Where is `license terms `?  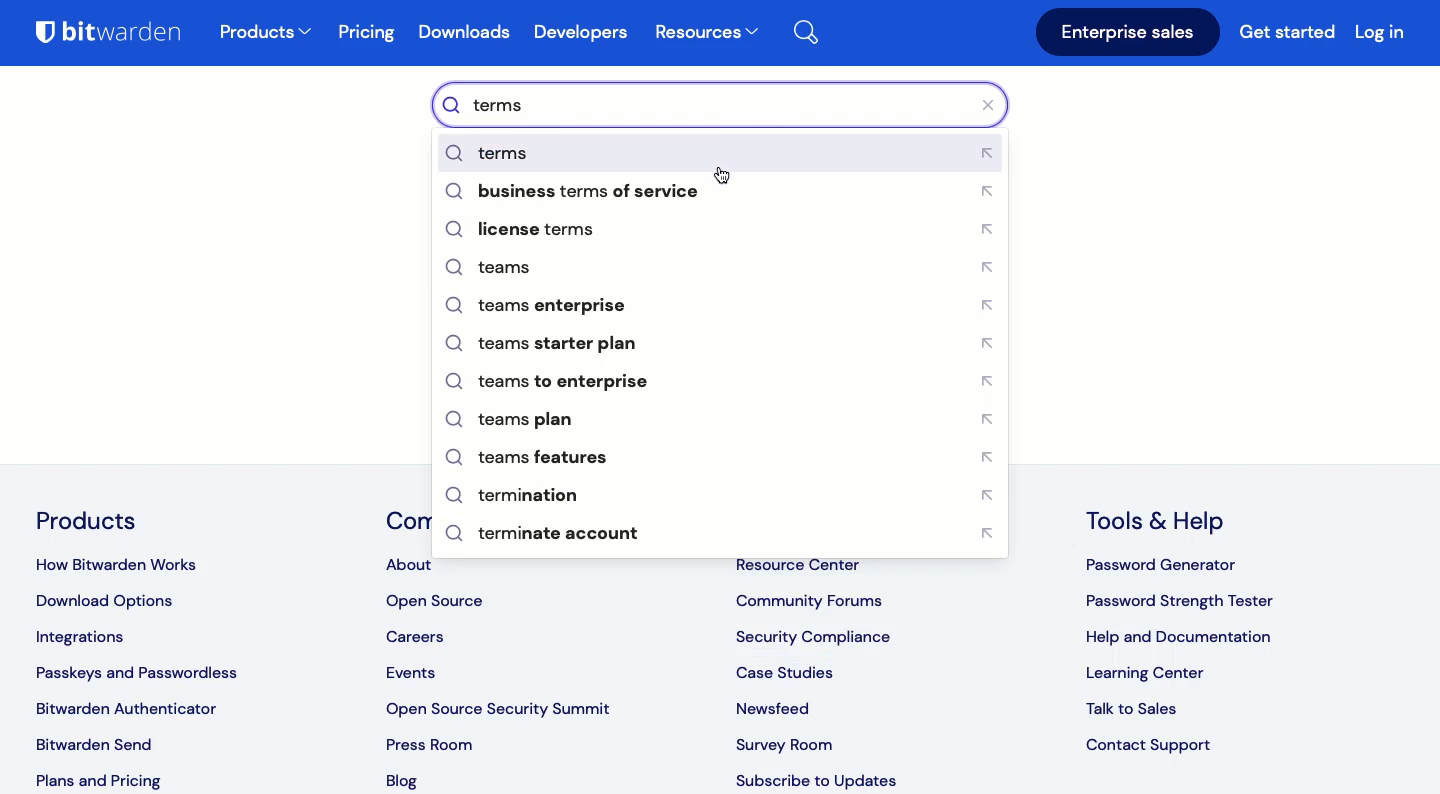 license terms  is located at coordinates (728, 231).